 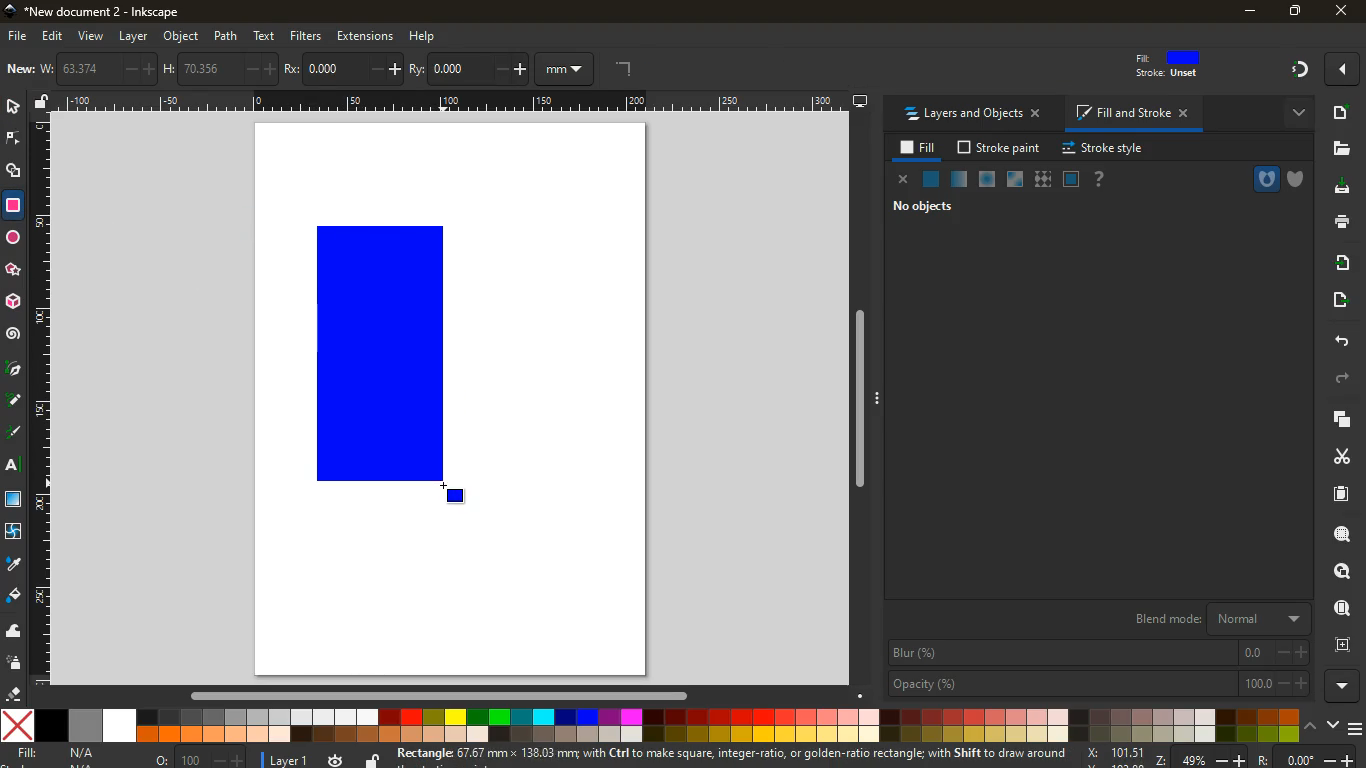 What do you see at coordinates (1343, 12) in the screenshot?
I see `close` at bounding box center [1343, 12].